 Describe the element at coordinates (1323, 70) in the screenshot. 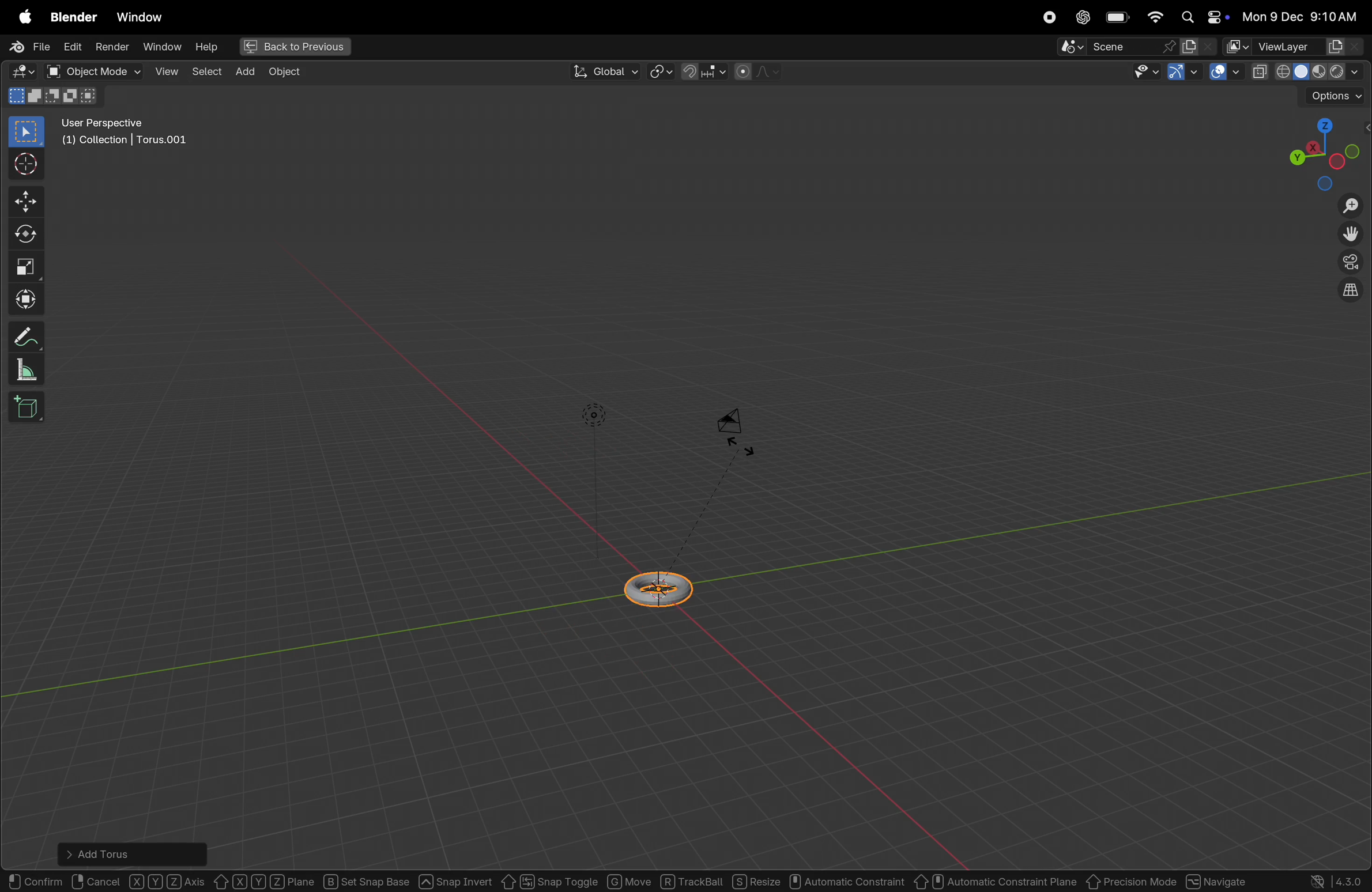

I see `view shading` at that location.